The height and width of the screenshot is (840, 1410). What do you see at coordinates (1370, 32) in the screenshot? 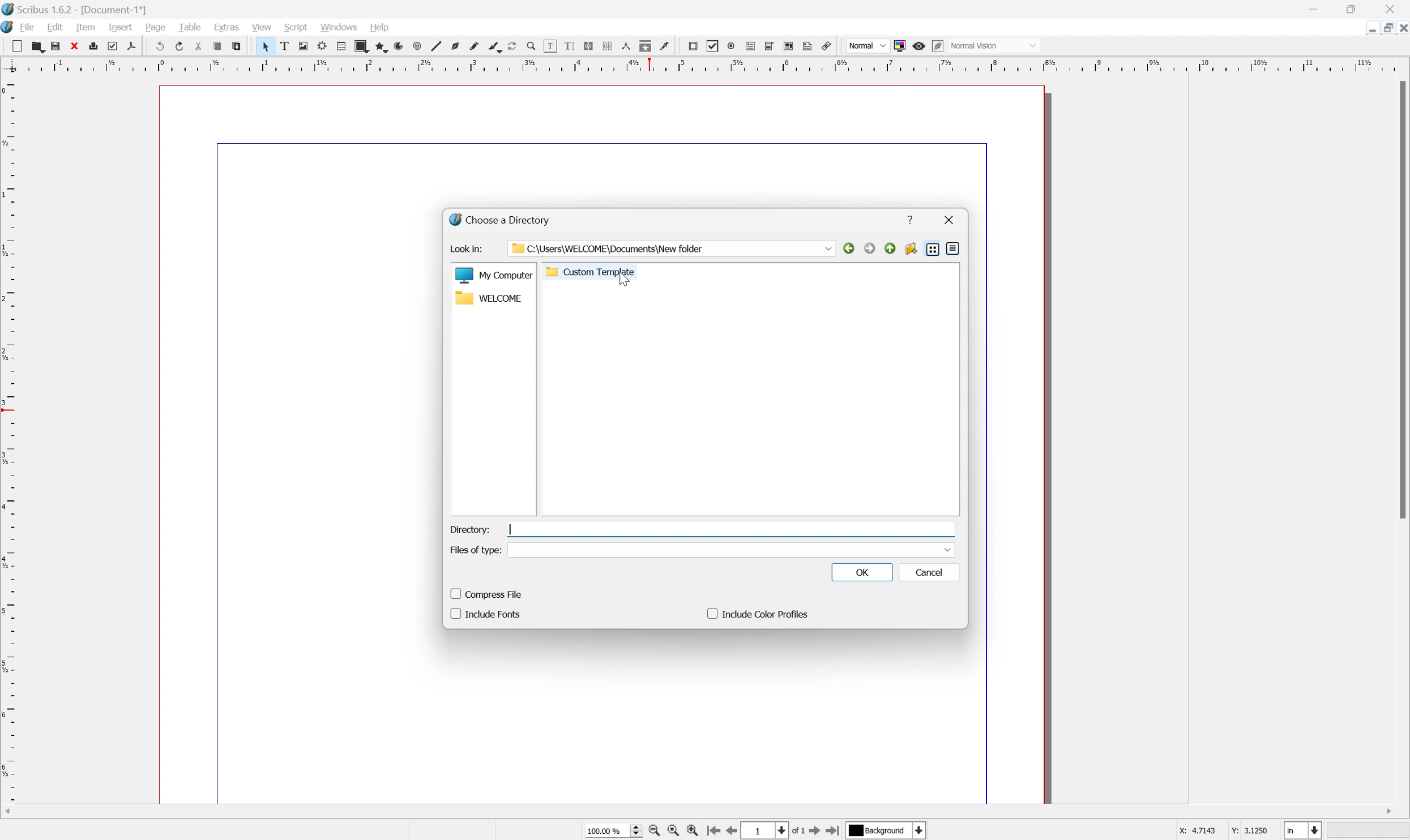
I see `Minimize` at bounding box center [1370, 32].